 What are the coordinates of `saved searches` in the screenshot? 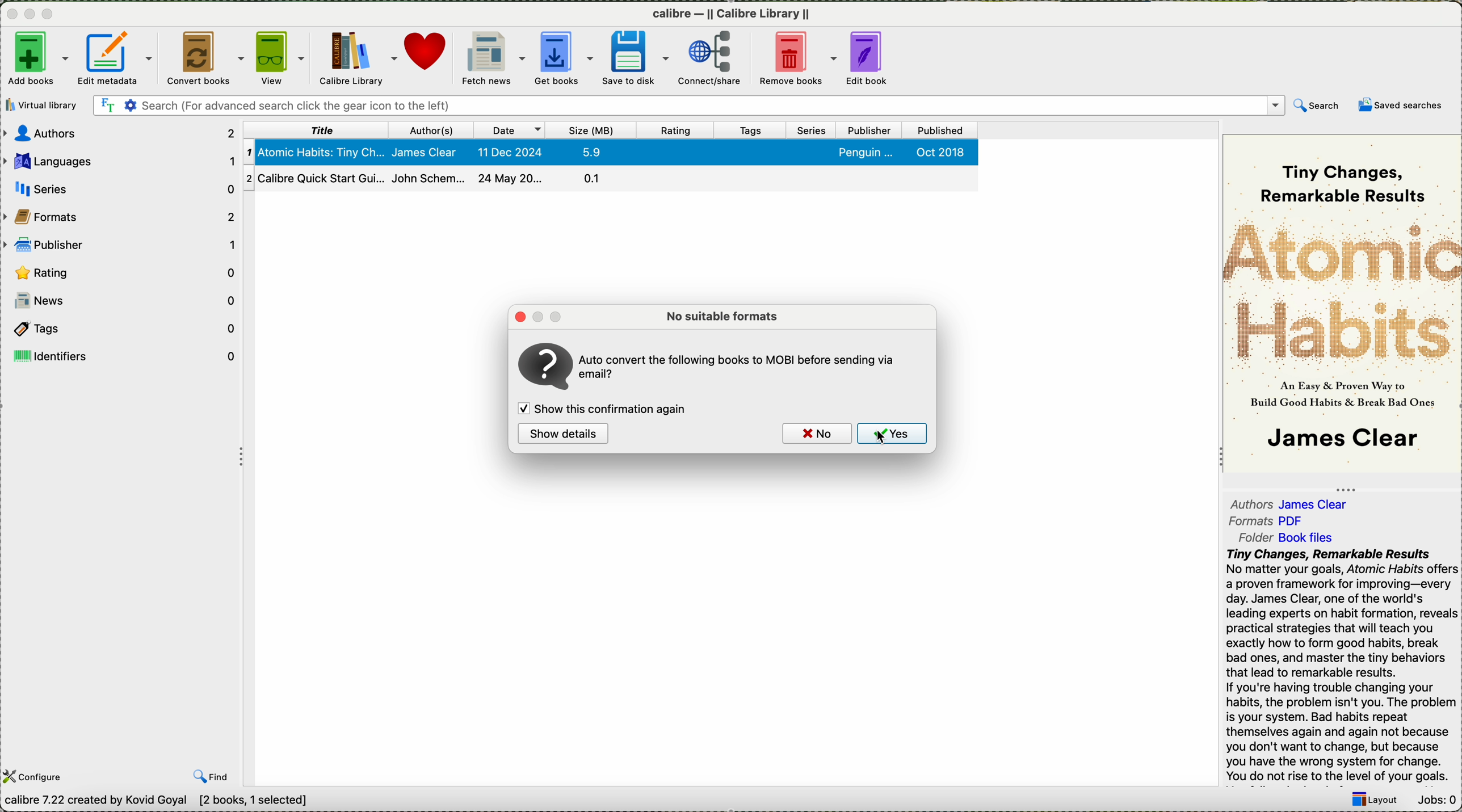 It's located at (1404, 106).